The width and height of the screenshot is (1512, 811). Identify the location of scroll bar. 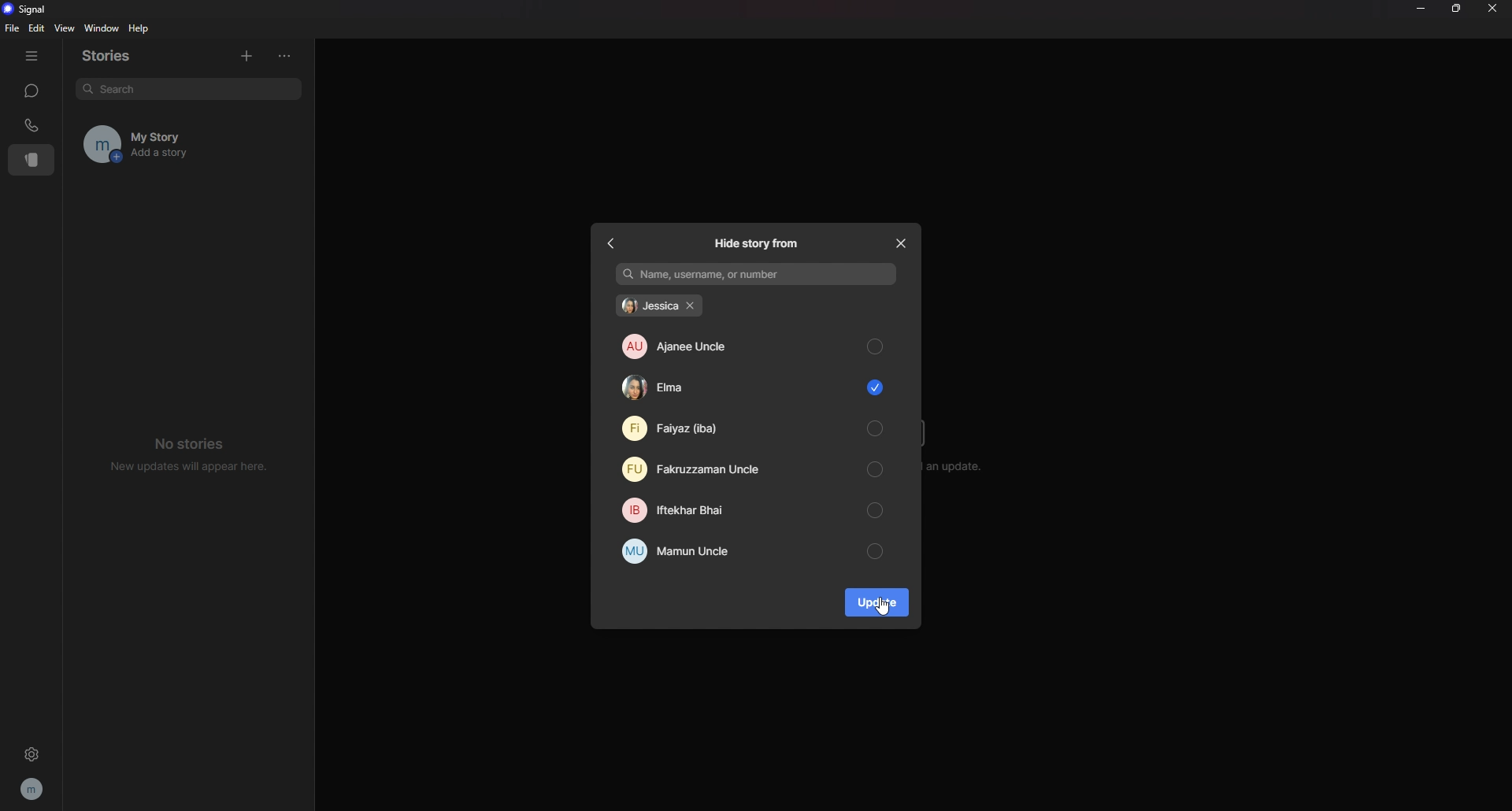
(905, 383).